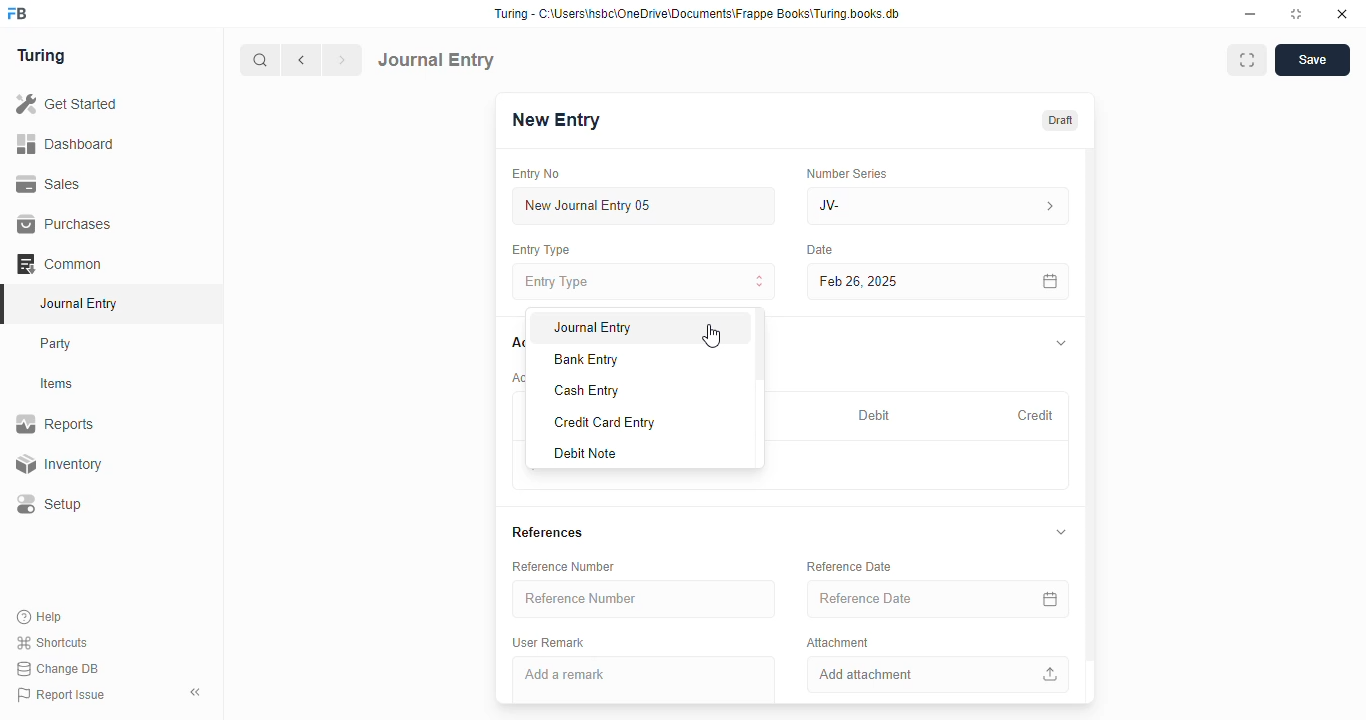  What do you see at coordinates (939, 206) in the screenshot?
I see `JV-` at bounding box center [939, 206].